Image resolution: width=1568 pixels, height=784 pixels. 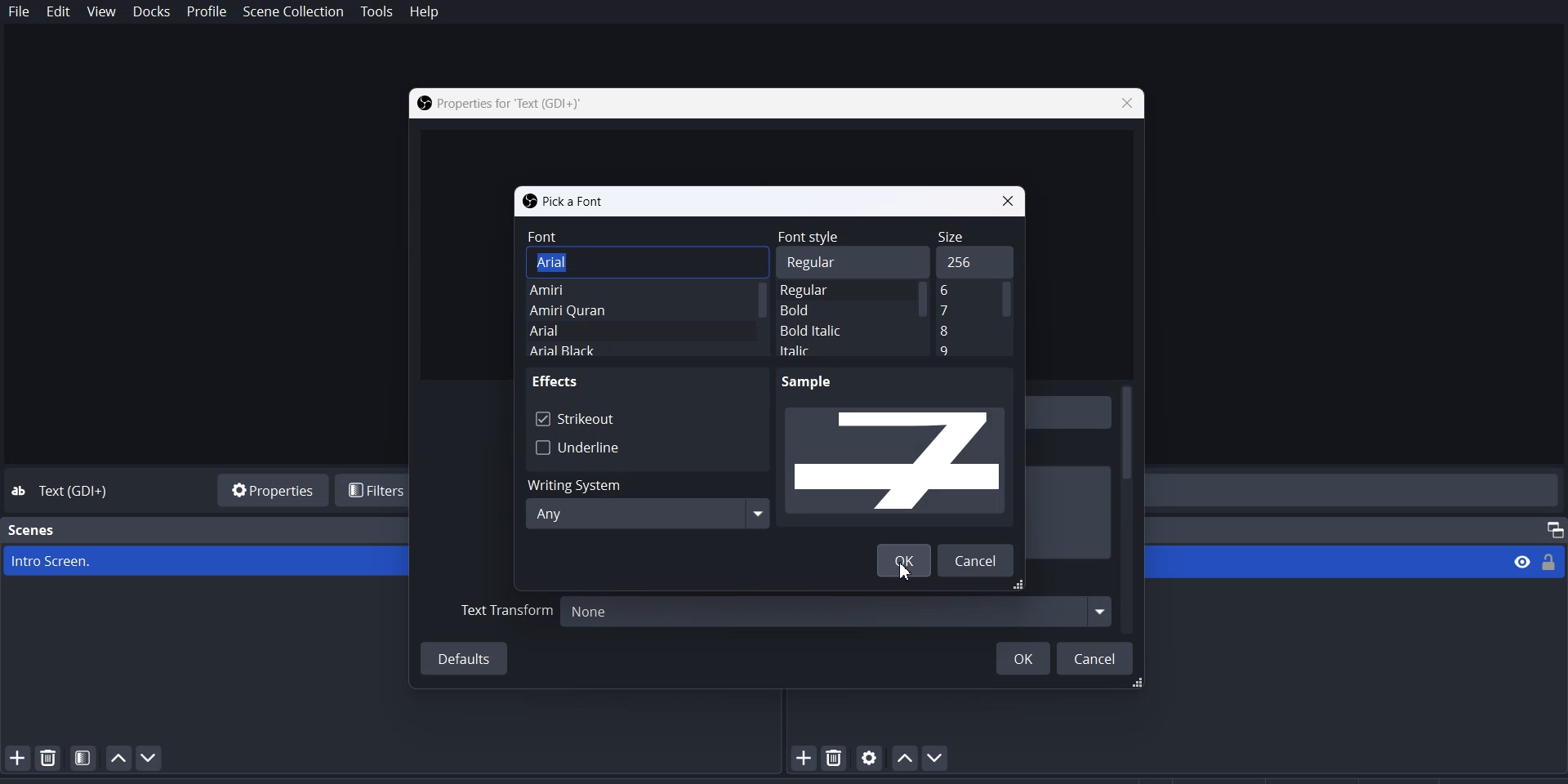 I want to click on Text , so click(x=558, y=381).